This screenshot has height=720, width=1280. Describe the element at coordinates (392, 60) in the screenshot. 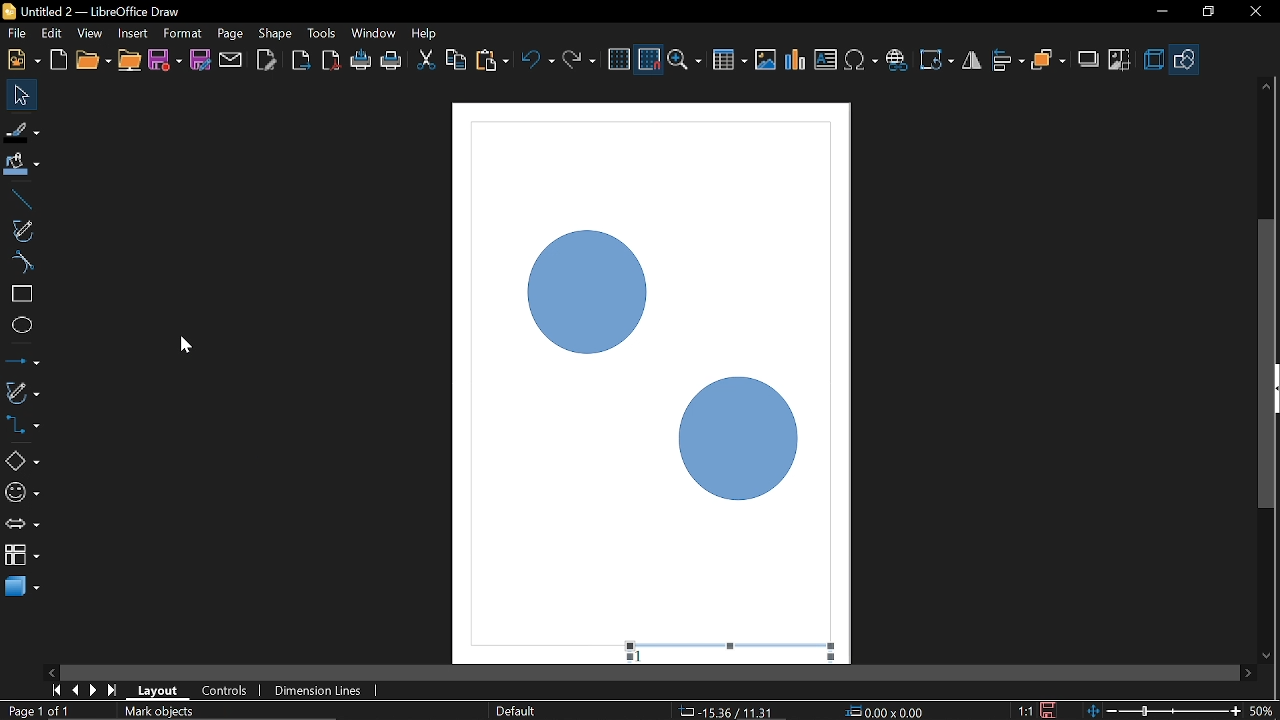

I see `print directly` at that location.